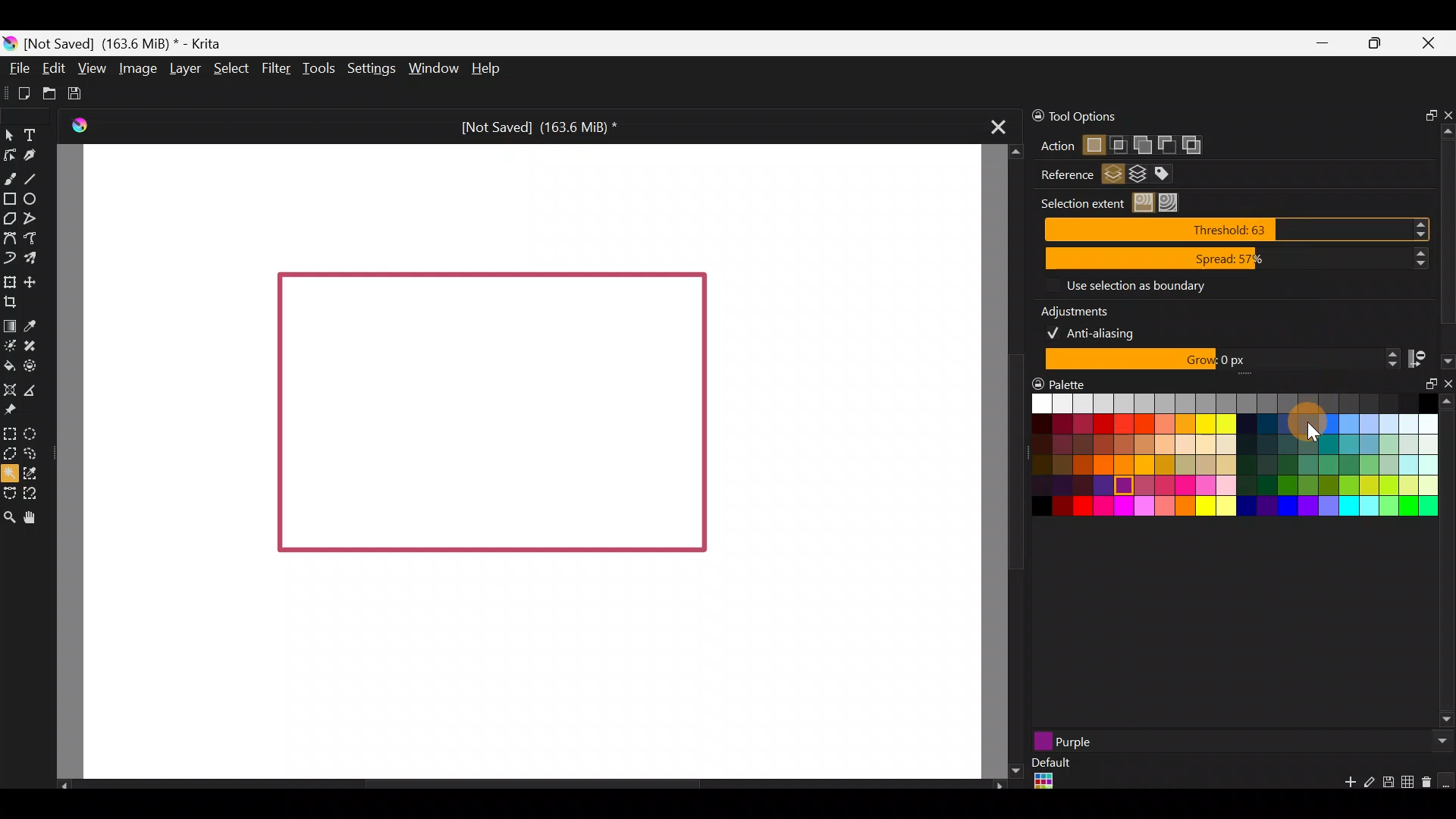 This screenshot has height=819, width=1456. What do you see at coordinates (1197, 145) in the screenshot?
I see `Symmetric difference` at bounding box center [1197, 145].